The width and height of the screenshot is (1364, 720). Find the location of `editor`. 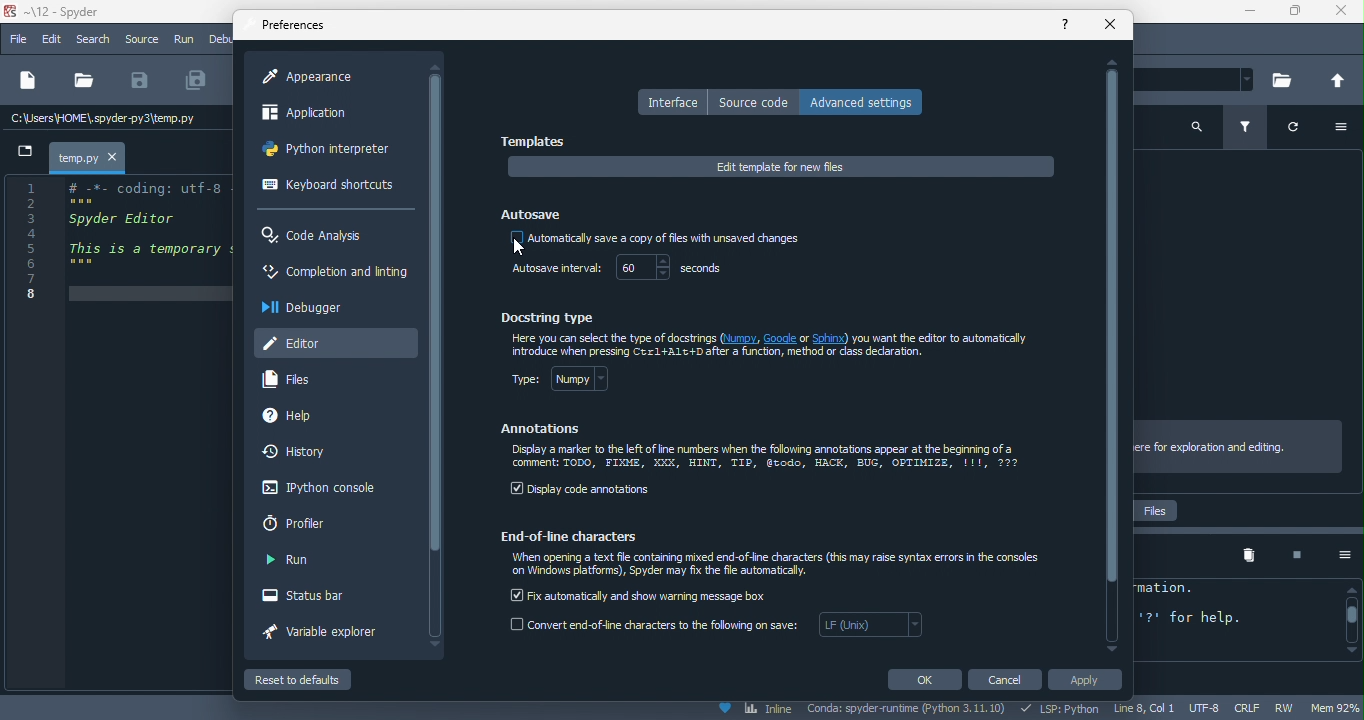

editor is located at coordinates (335, 341).